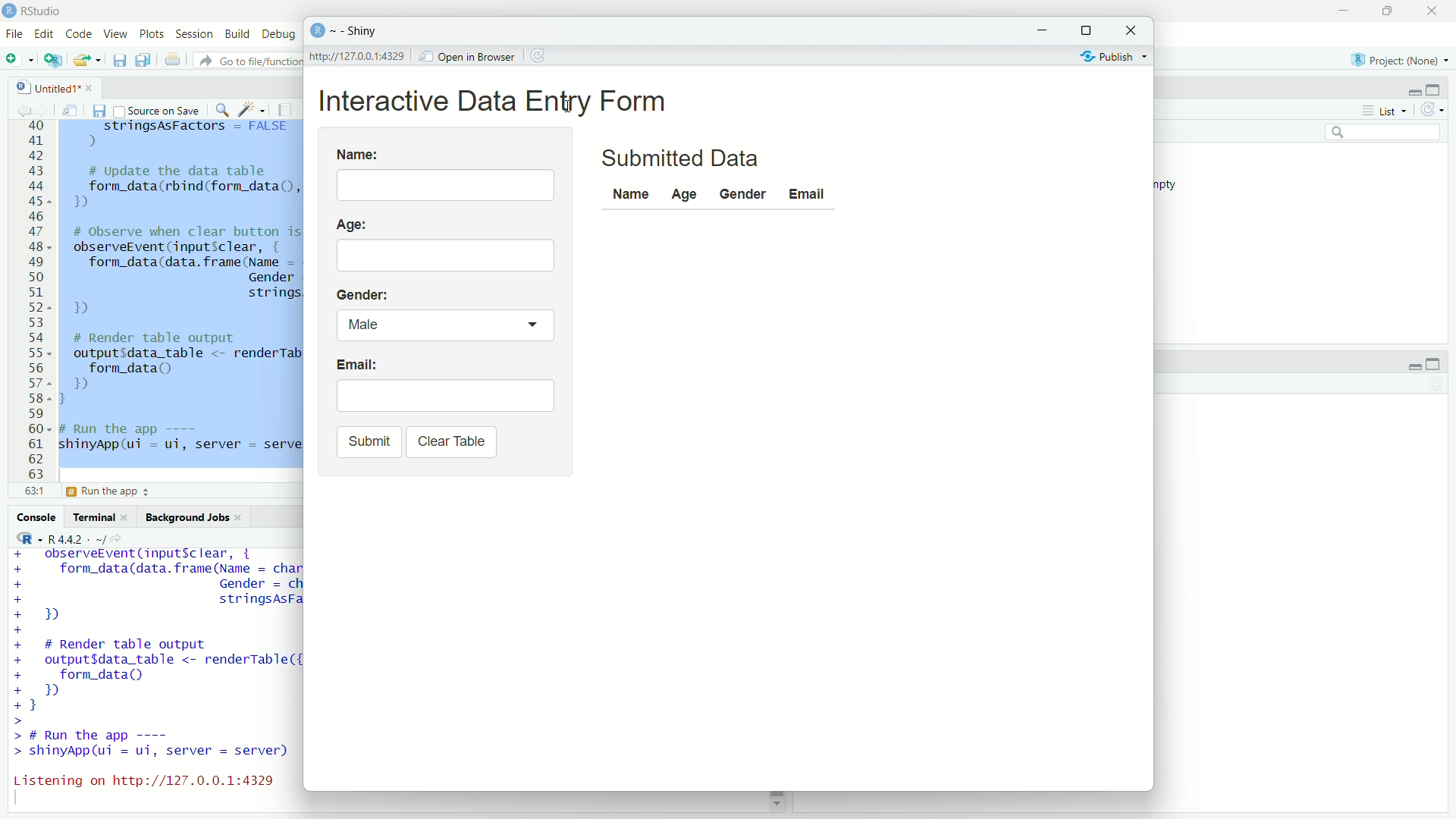 The height and width of the screenshot is (819, 1456). I want to click on maximize, so click(1441, 88).